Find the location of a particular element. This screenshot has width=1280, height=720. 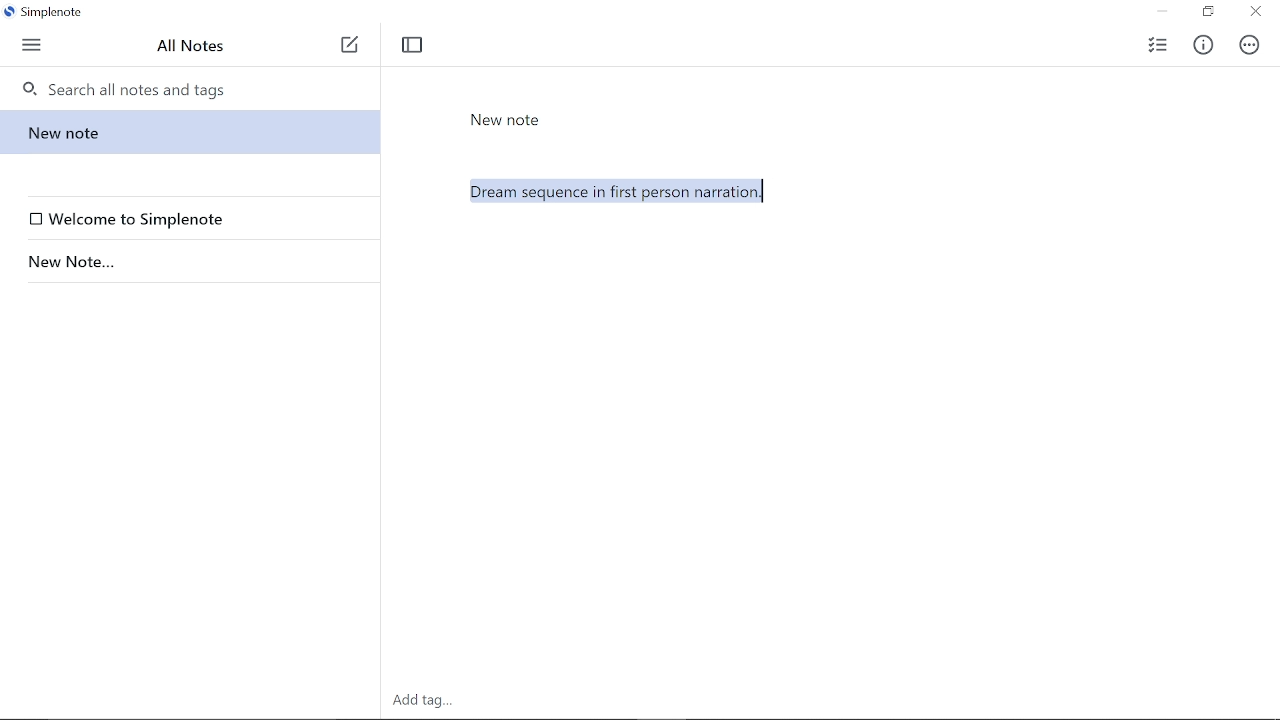

Welcome to Simplenote is located at coordinates (194, 219).